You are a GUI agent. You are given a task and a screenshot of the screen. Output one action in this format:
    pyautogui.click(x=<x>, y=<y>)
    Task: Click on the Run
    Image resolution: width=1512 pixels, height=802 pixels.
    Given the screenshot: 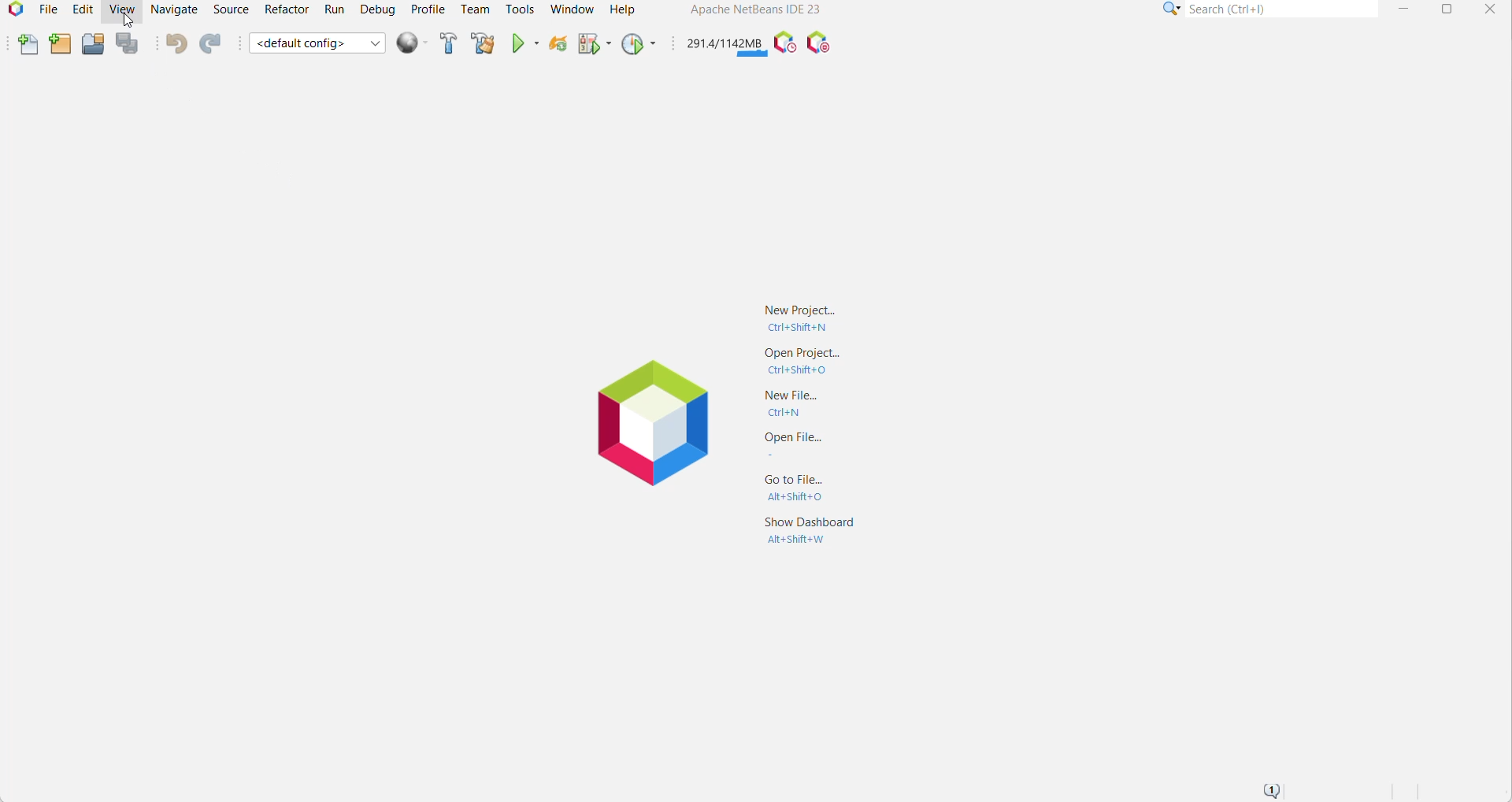 What is the action you would take?
    pyautogui.click(x=335, y=9)
    